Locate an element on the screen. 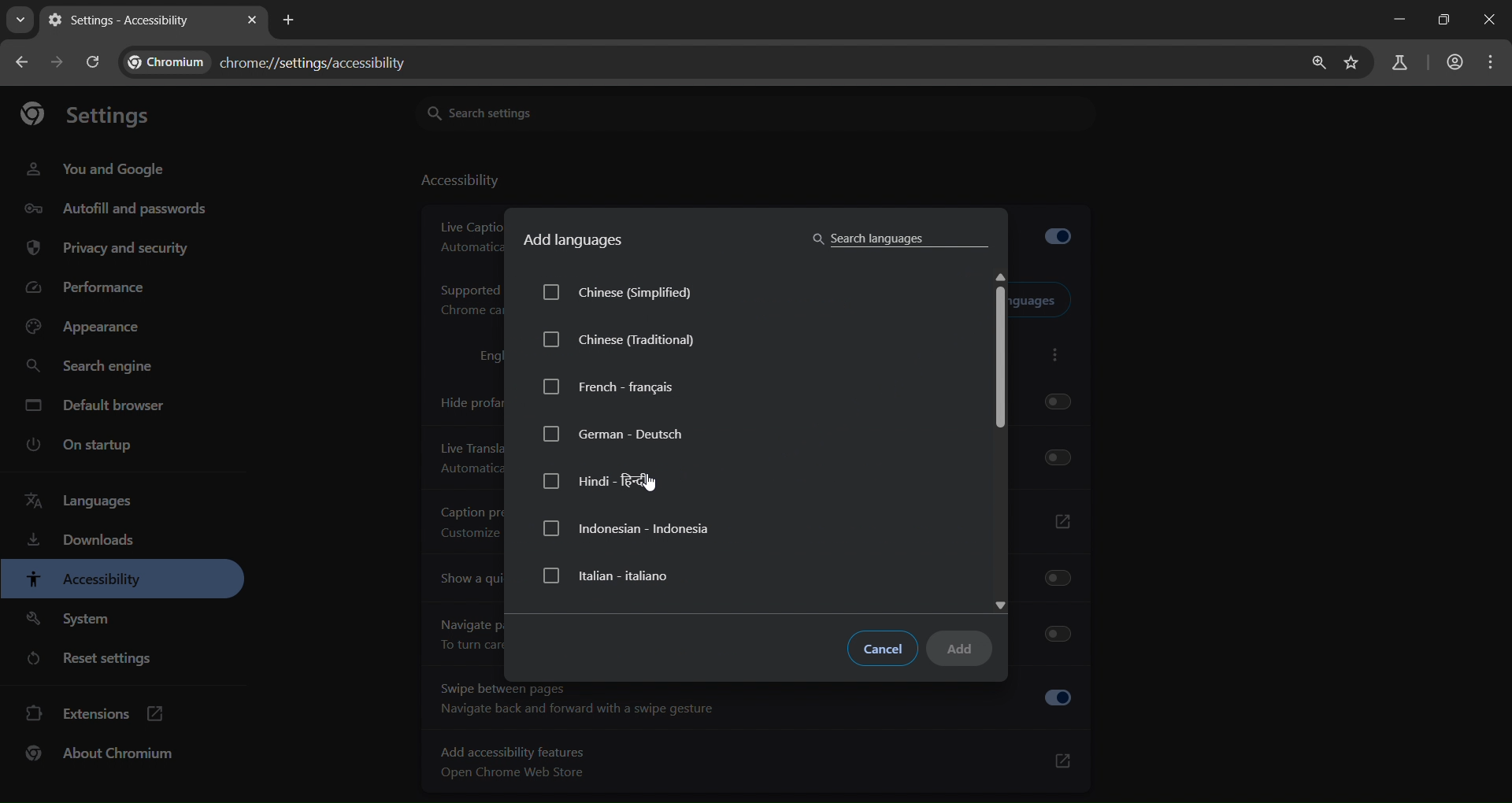  appearance is located at coordinates (91, 327).